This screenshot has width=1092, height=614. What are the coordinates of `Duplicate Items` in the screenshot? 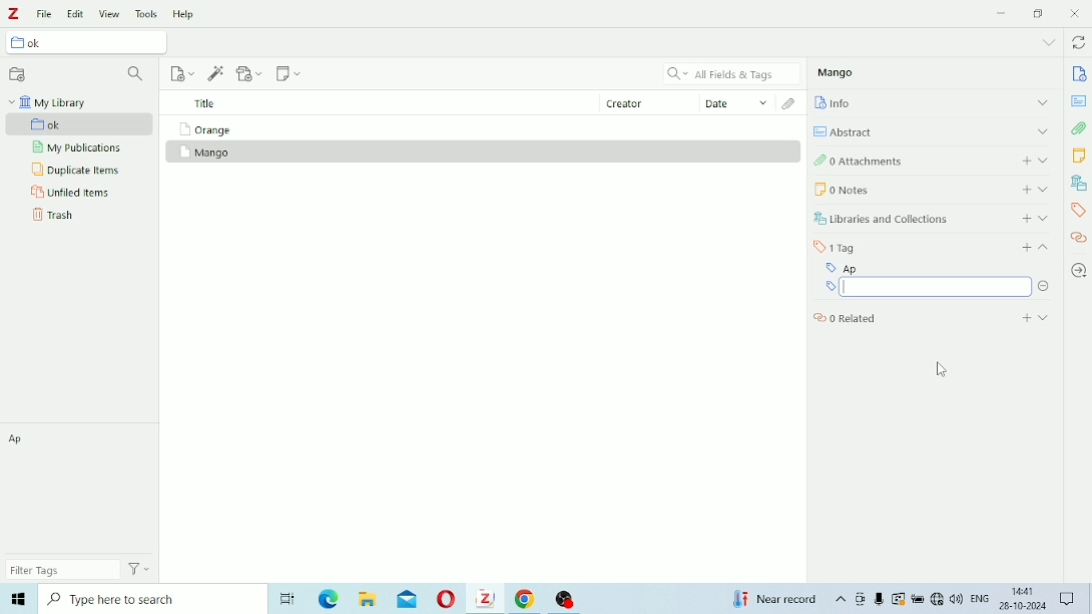 It's located at (75, 170).